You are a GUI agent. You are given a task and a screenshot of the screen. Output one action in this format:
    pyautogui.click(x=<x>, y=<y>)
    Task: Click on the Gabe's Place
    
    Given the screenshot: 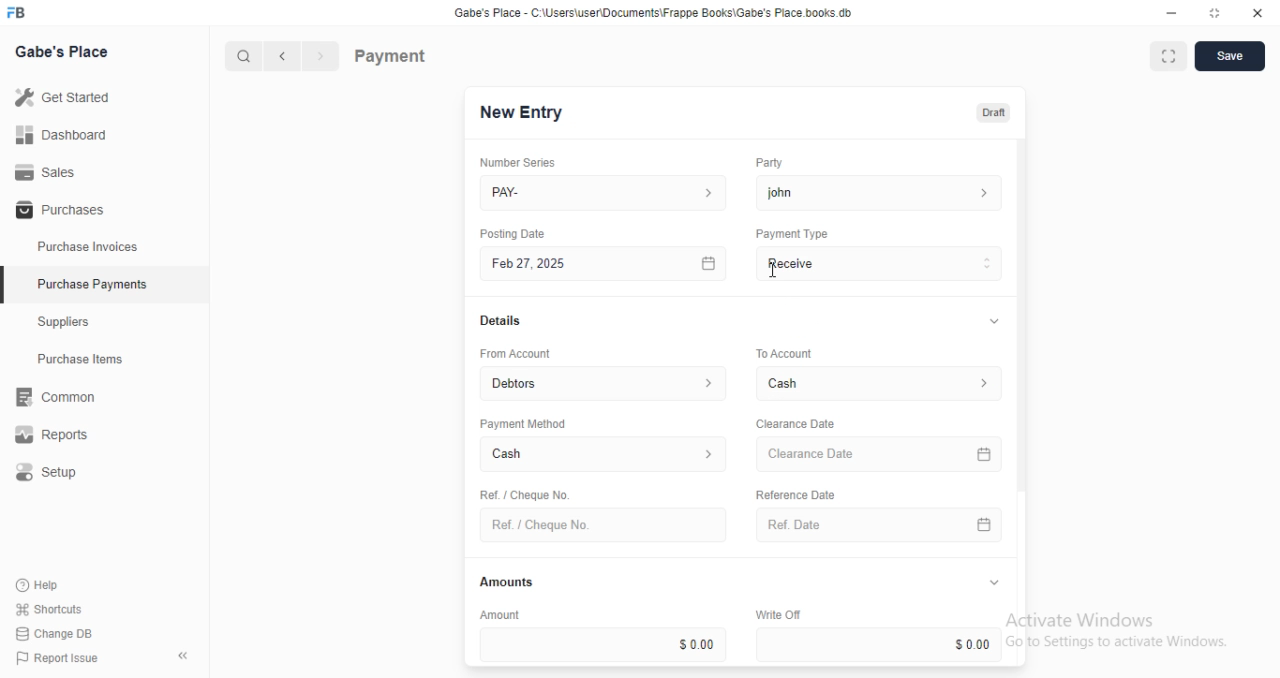 What is the action you would take?
    pyautogui.click(x=66, y=53)
    